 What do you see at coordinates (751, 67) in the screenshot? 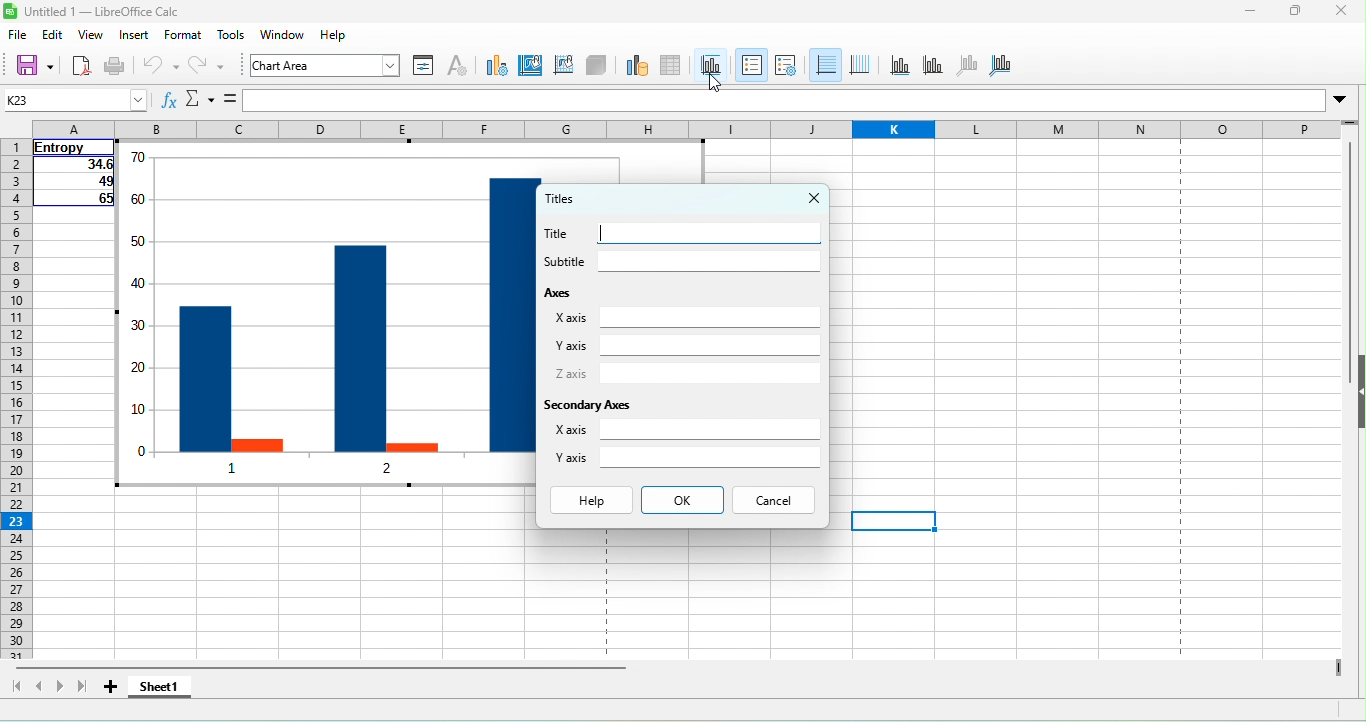
I see `legend on/off` at bounding box center [751, 67].